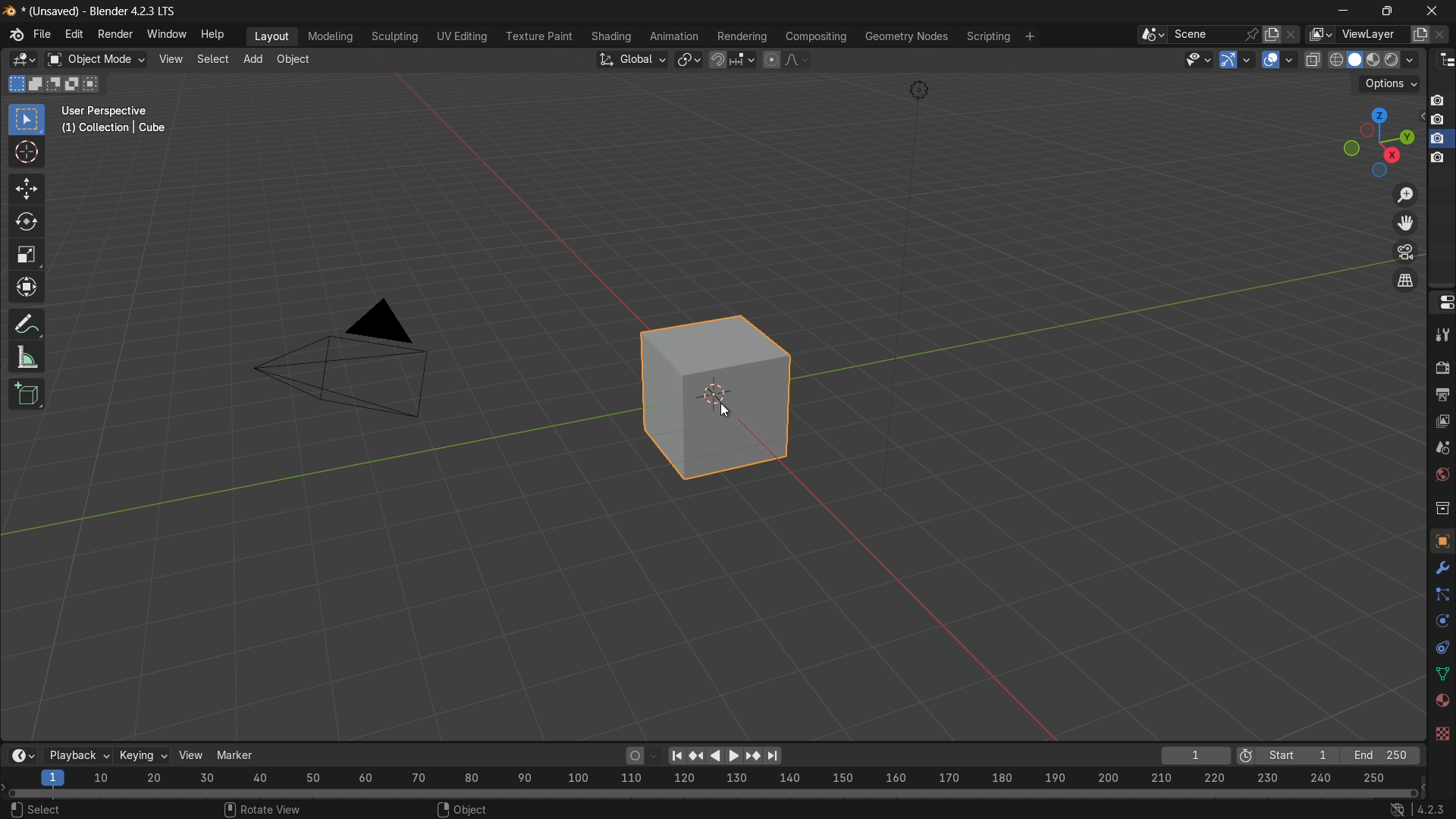 Image resolution: width=1456 pixels, height=819 pixels. Describe the element at coordinates (632, 758) in the screenshot. I see `auto keying` at that location.